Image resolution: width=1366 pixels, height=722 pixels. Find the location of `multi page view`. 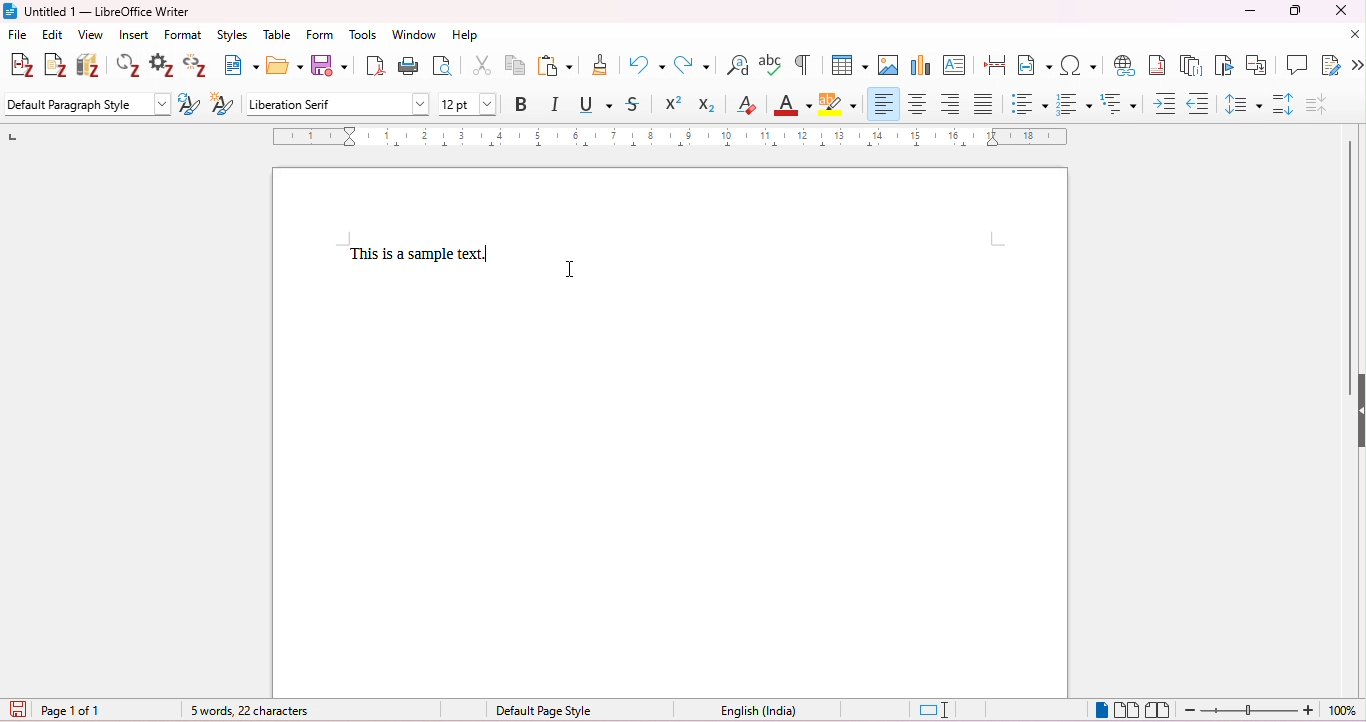

multi page view is located at coordinates (1125, 710).